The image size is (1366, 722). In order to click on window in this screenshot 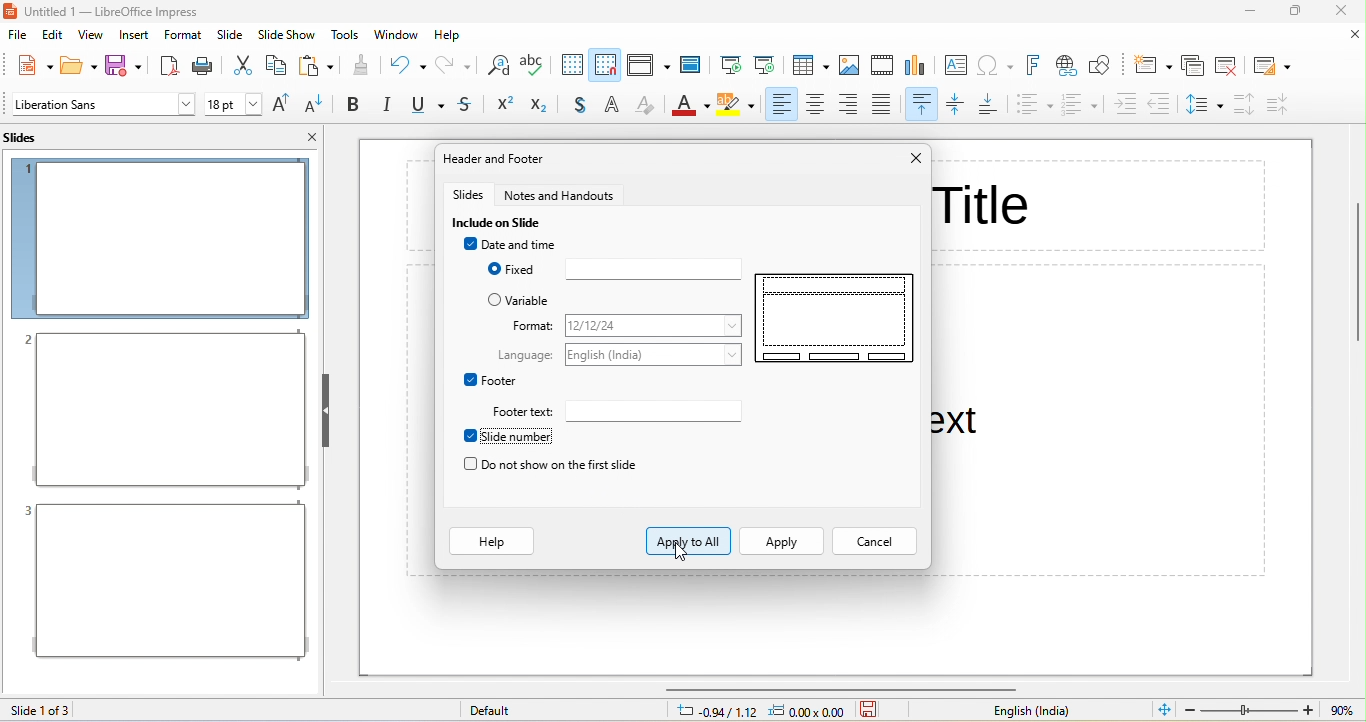, I will do `click(397, 34)`.